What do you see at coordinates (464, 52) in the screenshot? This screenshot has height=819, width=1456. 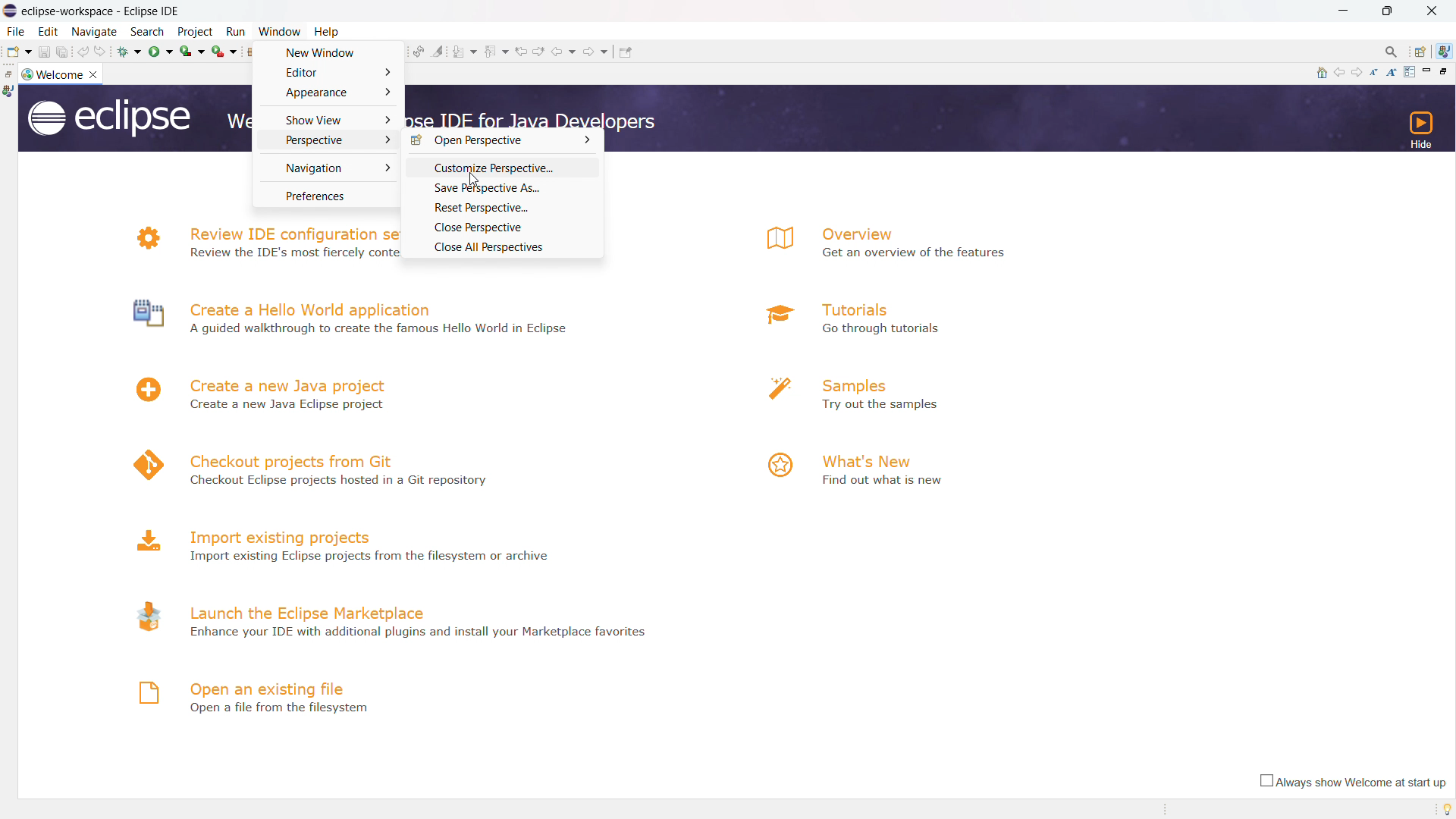 I see `next annotation` at bounding box center [464, 52].